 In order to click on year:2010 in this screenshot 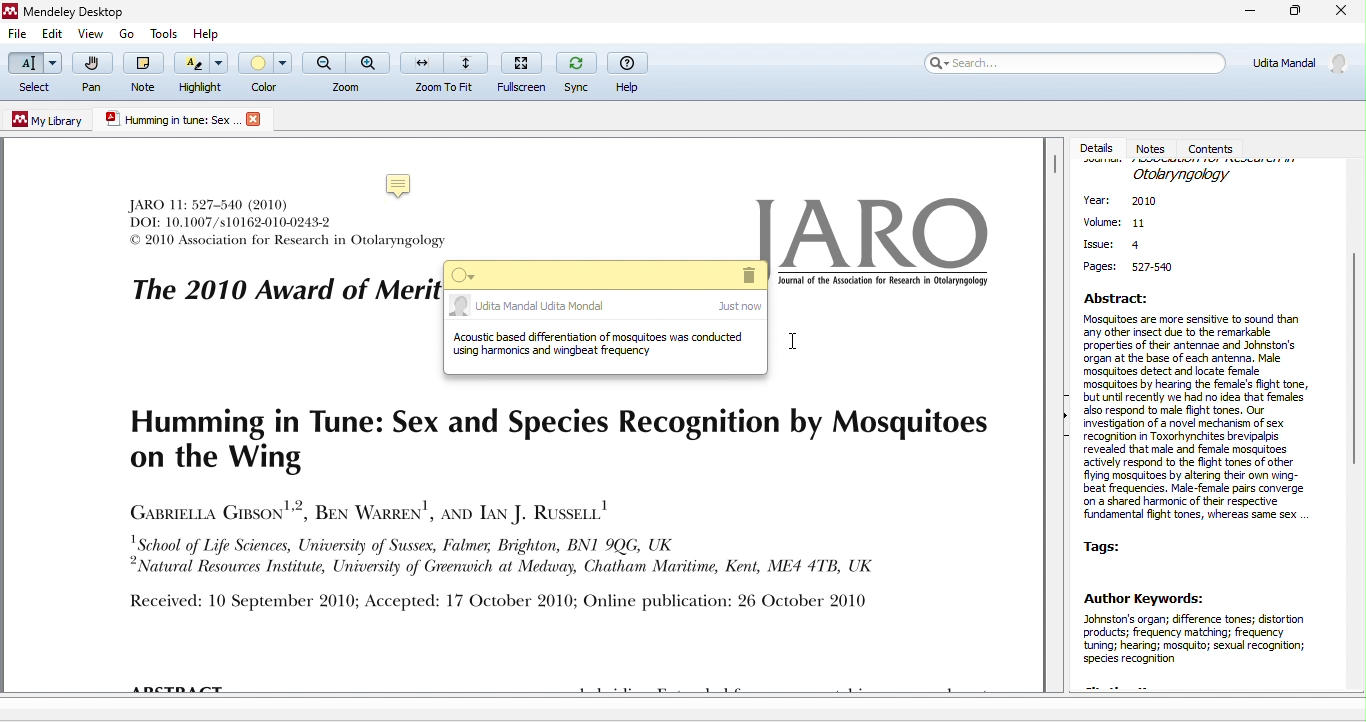, I will do `click(1133, 203)`.